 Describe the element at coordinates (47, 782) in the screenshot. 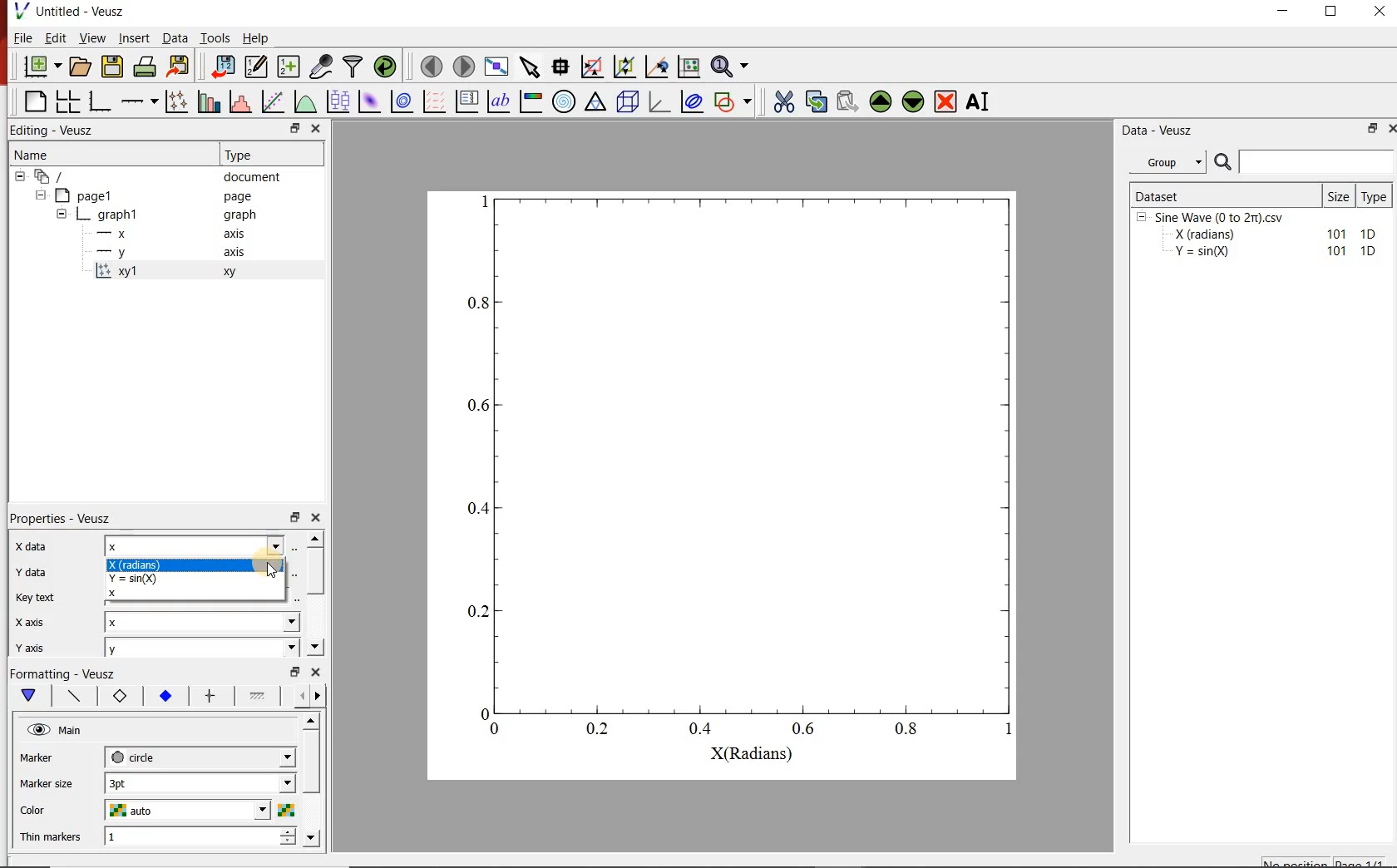

I see `Auto mirror` at that location.